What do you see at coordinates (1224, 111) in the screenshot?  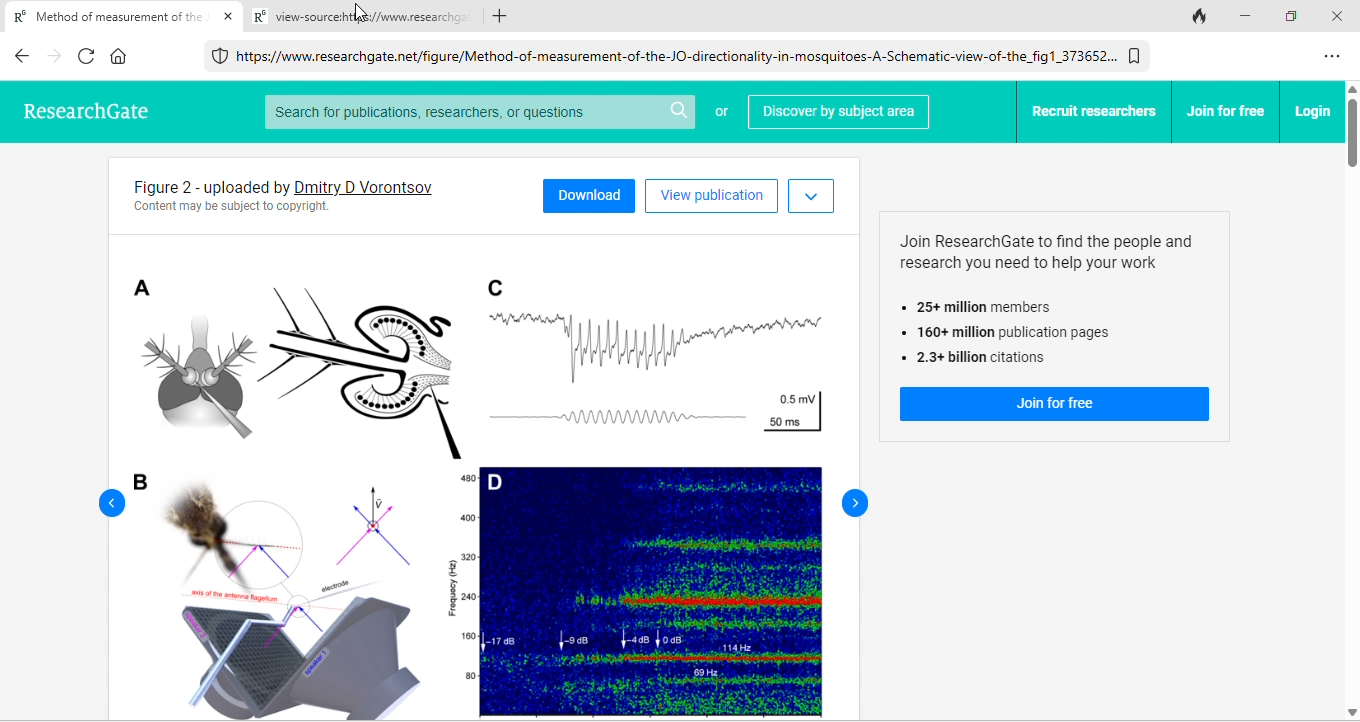 I see `join for free` at bounding box center [1224, 111].